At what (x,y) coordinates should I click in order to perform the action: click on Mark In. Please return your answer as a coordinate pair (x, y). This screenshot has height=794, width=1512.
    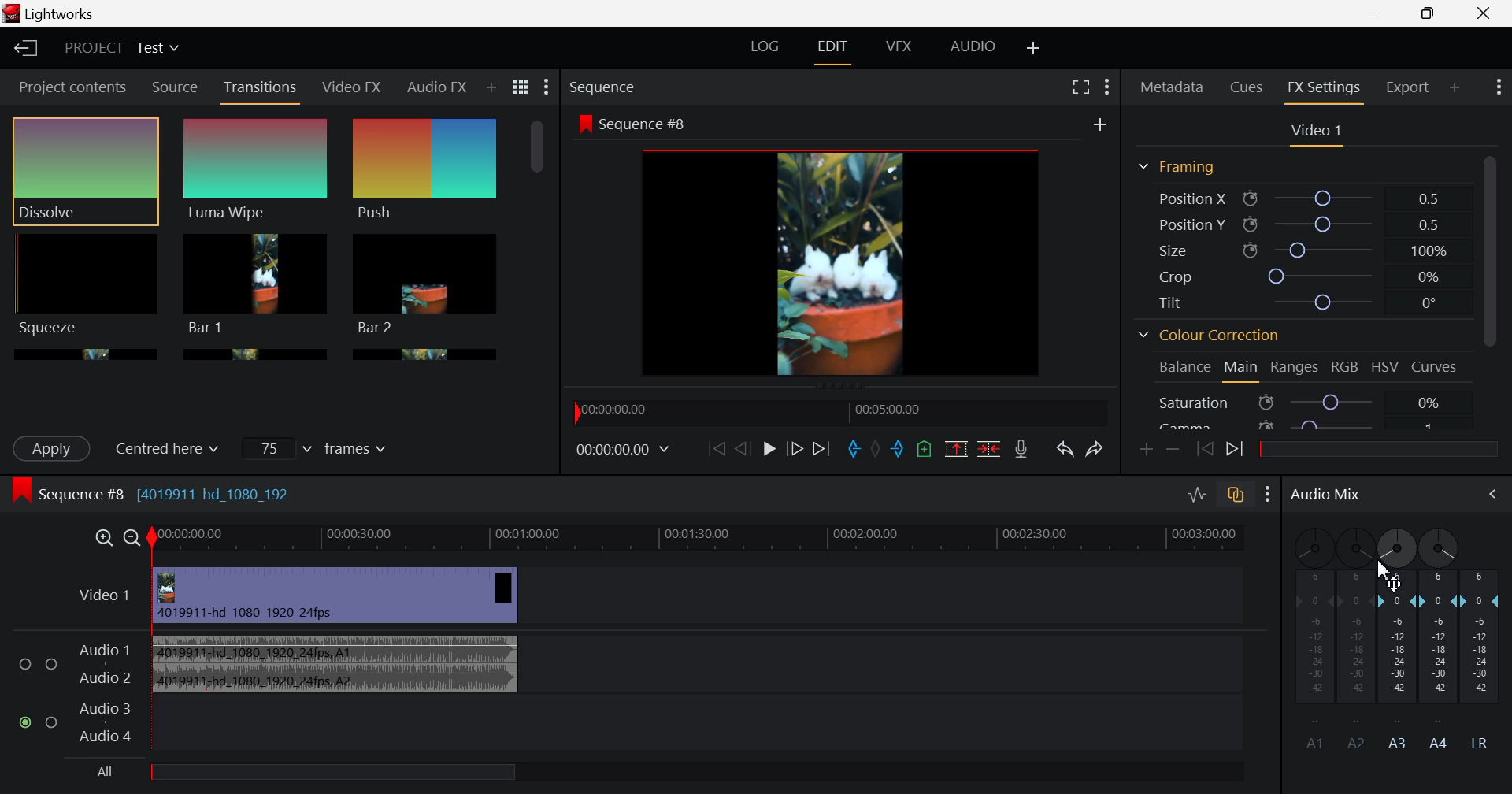
    Looking at the image, I should click on (854, 450).